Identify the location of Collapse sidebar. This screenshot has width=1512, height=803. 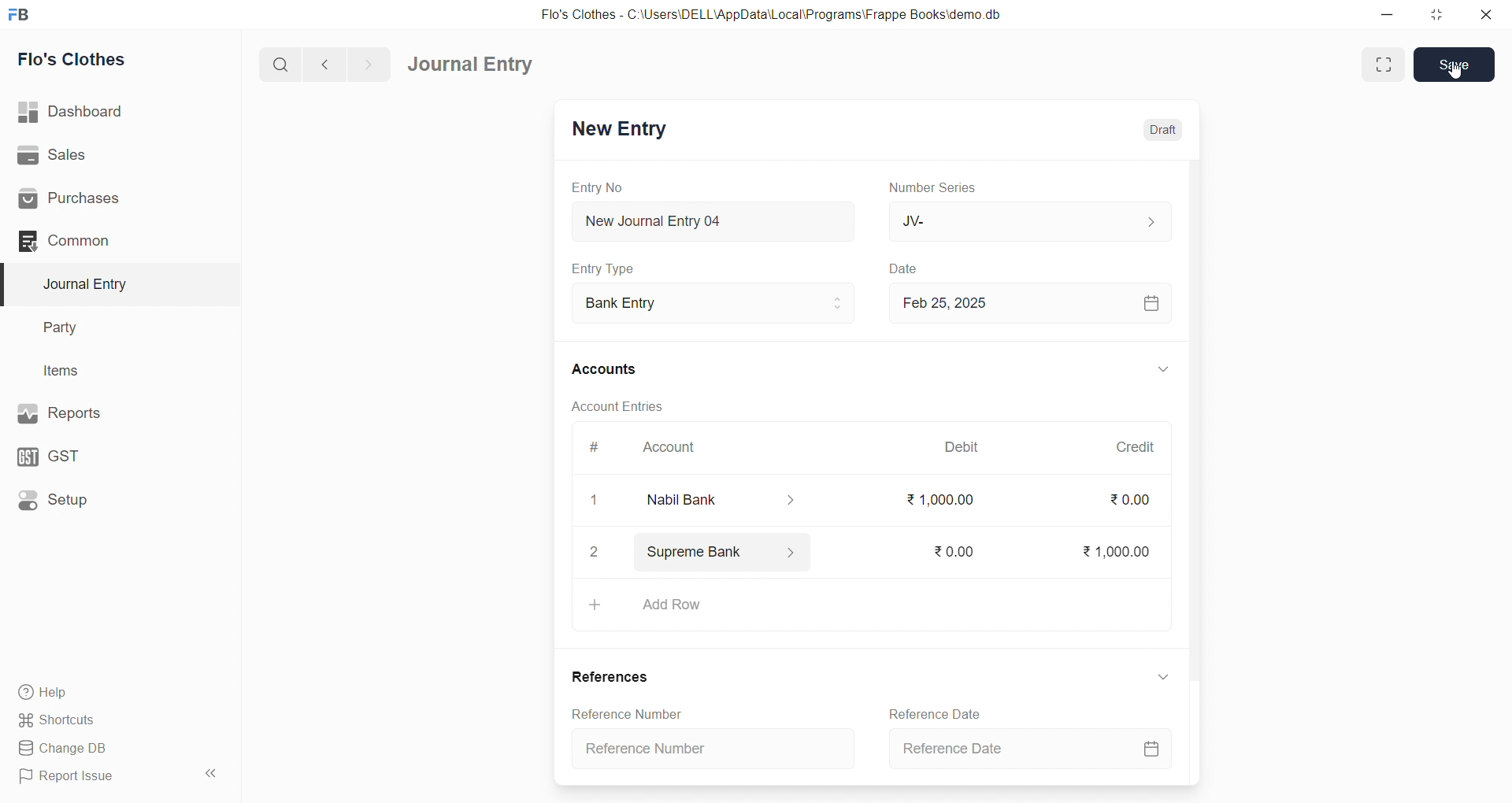
(213, 776).